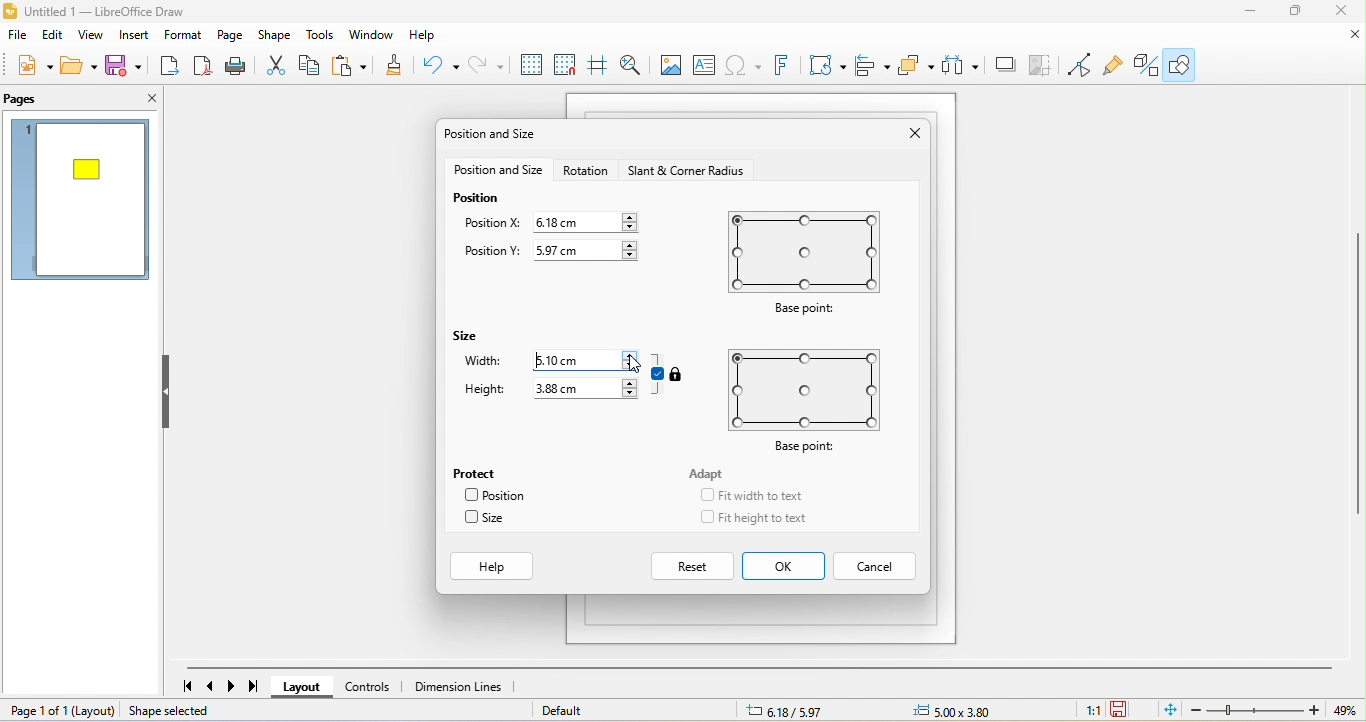 The width and height of the screenshot is (1366, 722). I want to click on close, so click(140, 97).